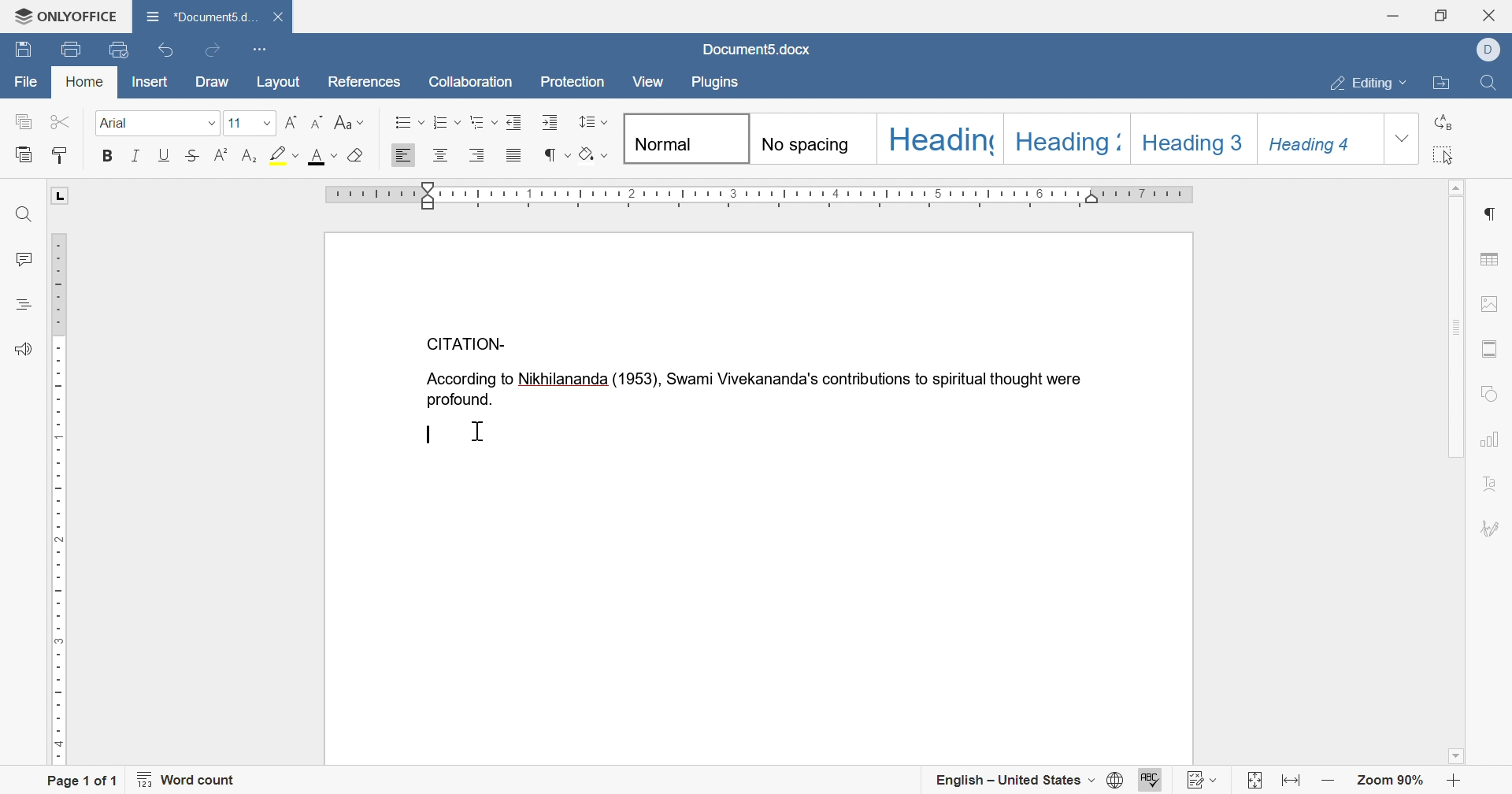 The width and height of the screenshot is (1512, 794). I want to click on english - united states, so click(1011, 781).